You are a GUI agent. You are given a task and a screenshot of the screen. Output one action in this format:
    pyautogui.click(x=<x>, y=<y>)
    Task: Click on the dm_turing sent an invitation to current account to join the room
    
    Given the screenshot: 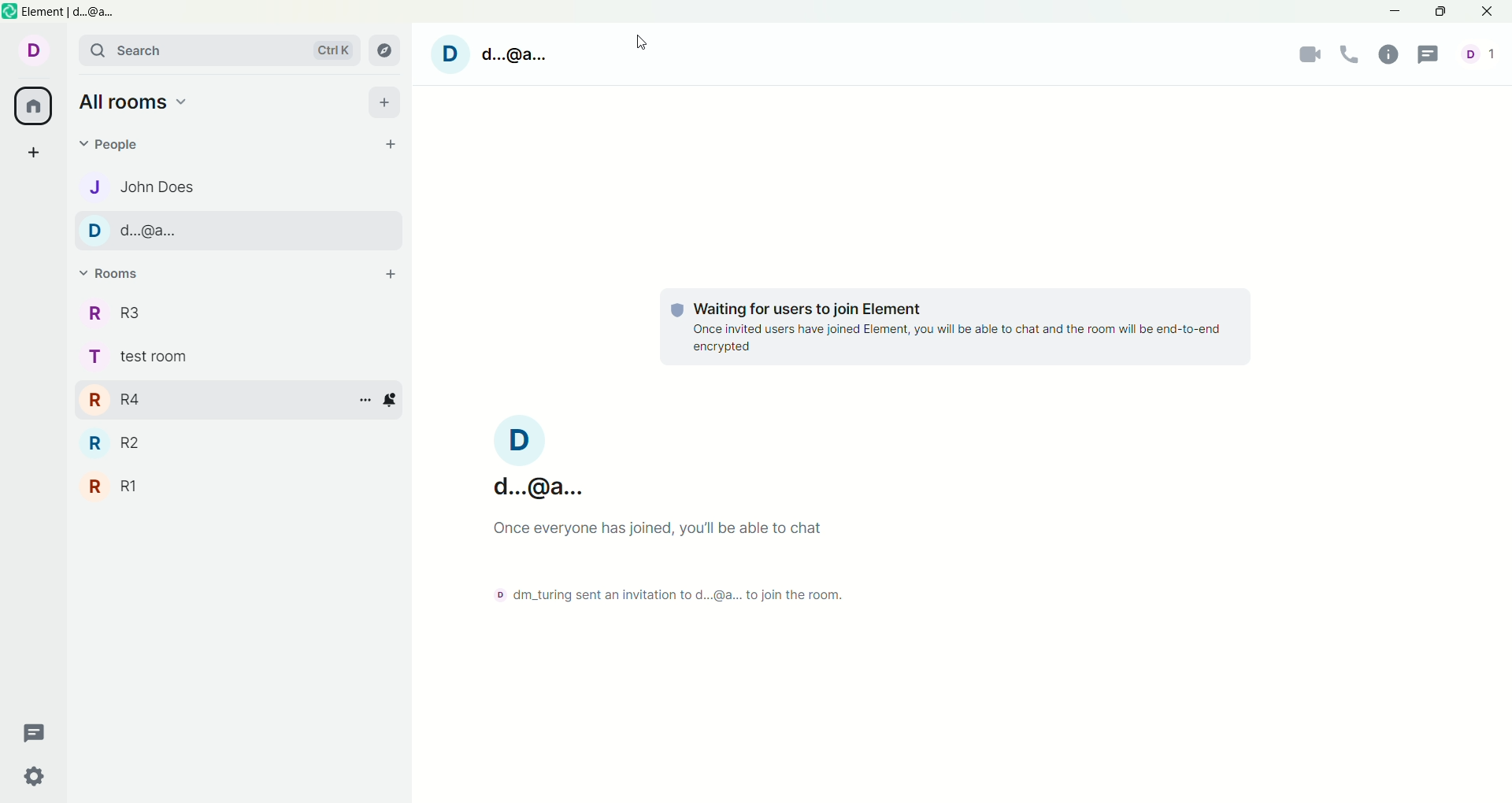 What is the action you would take?
    pyautogui.click(x=667, y=595)
    